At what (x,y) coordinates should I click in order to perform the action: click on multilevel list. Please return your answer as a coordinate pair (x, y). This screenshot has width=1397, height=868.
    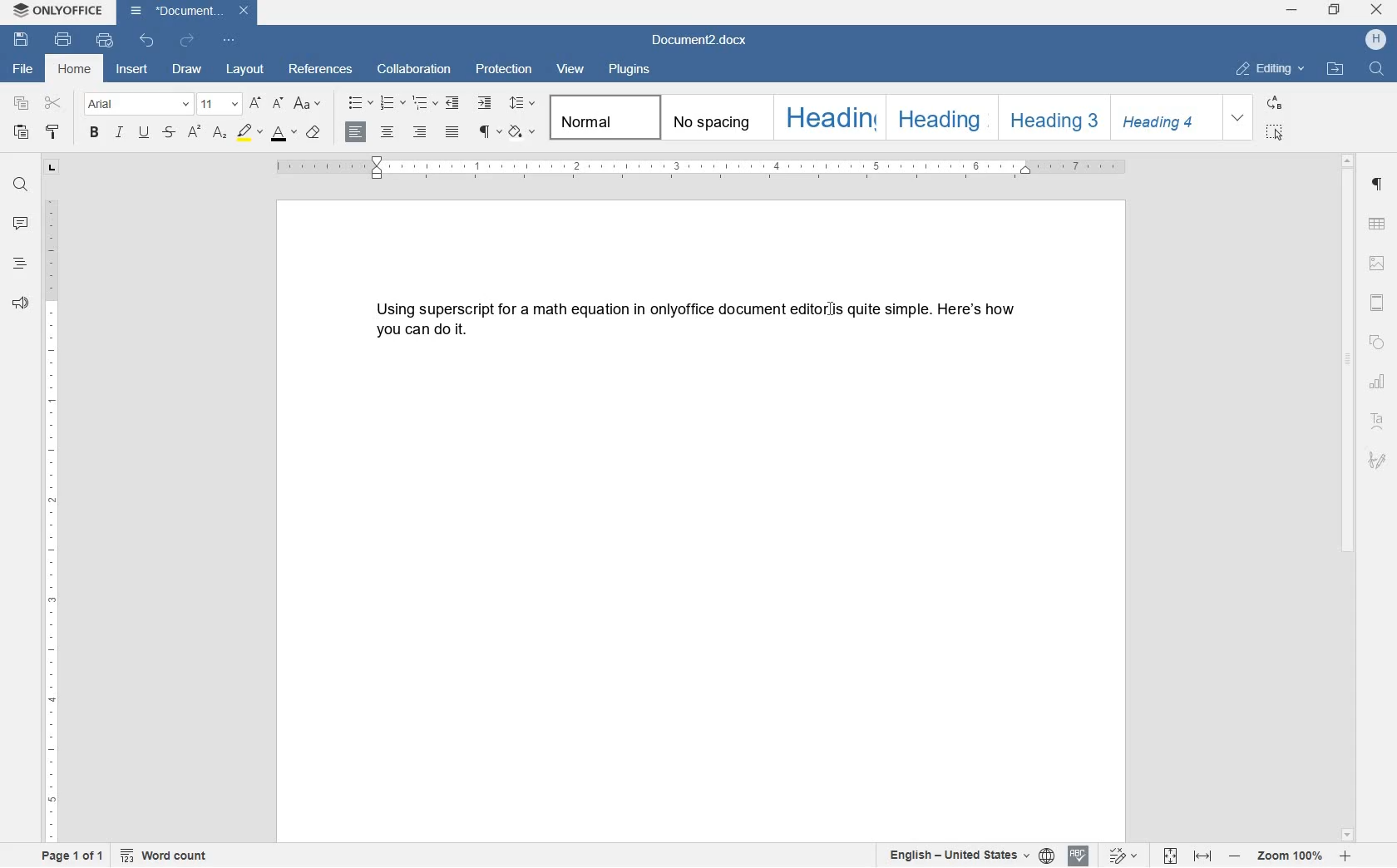
    Looking at the image, I should click on (422, 104).